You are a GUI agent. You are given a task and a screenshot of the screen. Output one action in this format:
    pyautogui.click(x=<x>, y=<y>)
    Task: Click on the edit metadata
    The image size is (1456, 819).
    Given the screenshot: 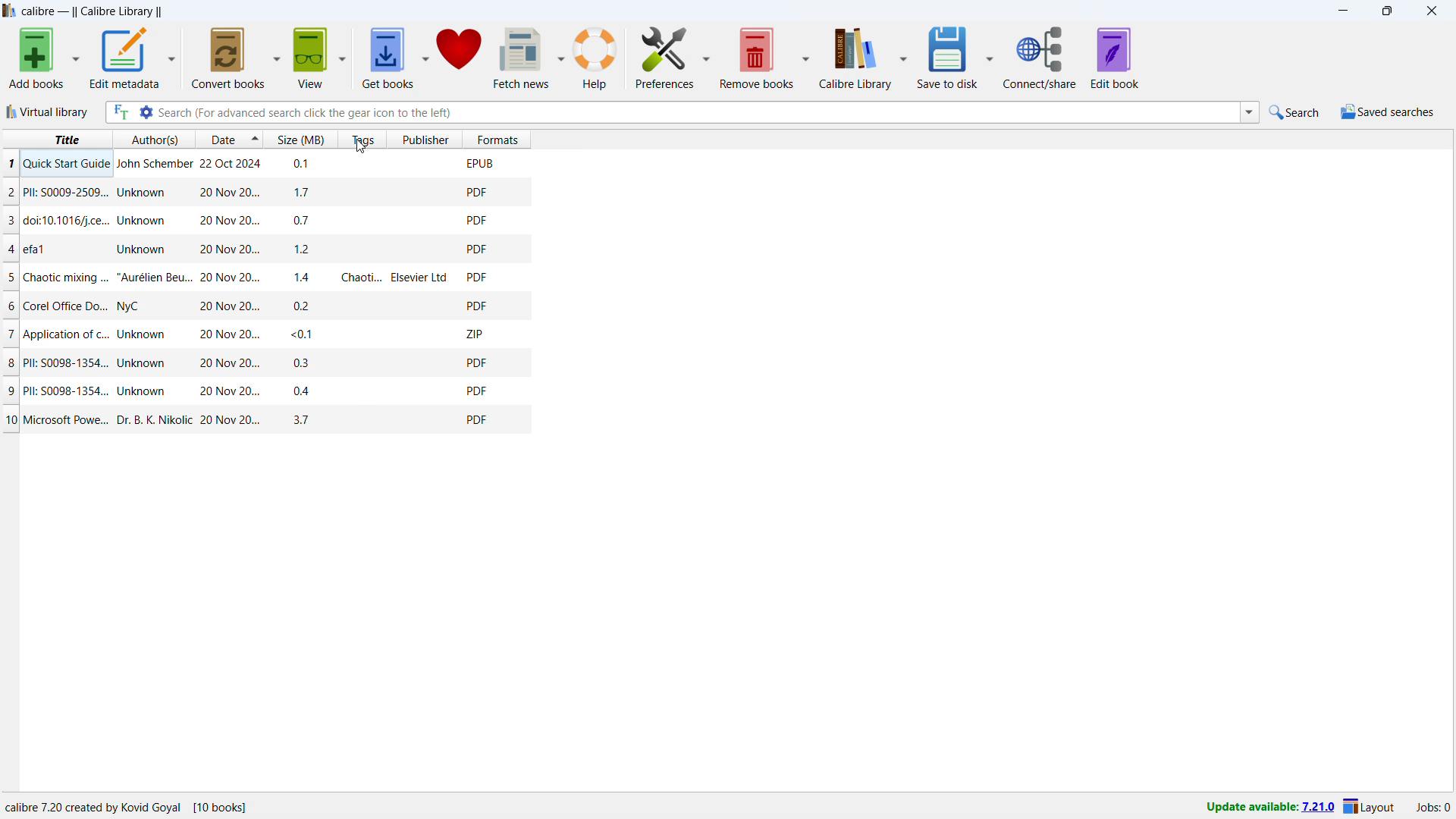 What is the action you would take?
    pyautogui.click(x=124, y=56)
    